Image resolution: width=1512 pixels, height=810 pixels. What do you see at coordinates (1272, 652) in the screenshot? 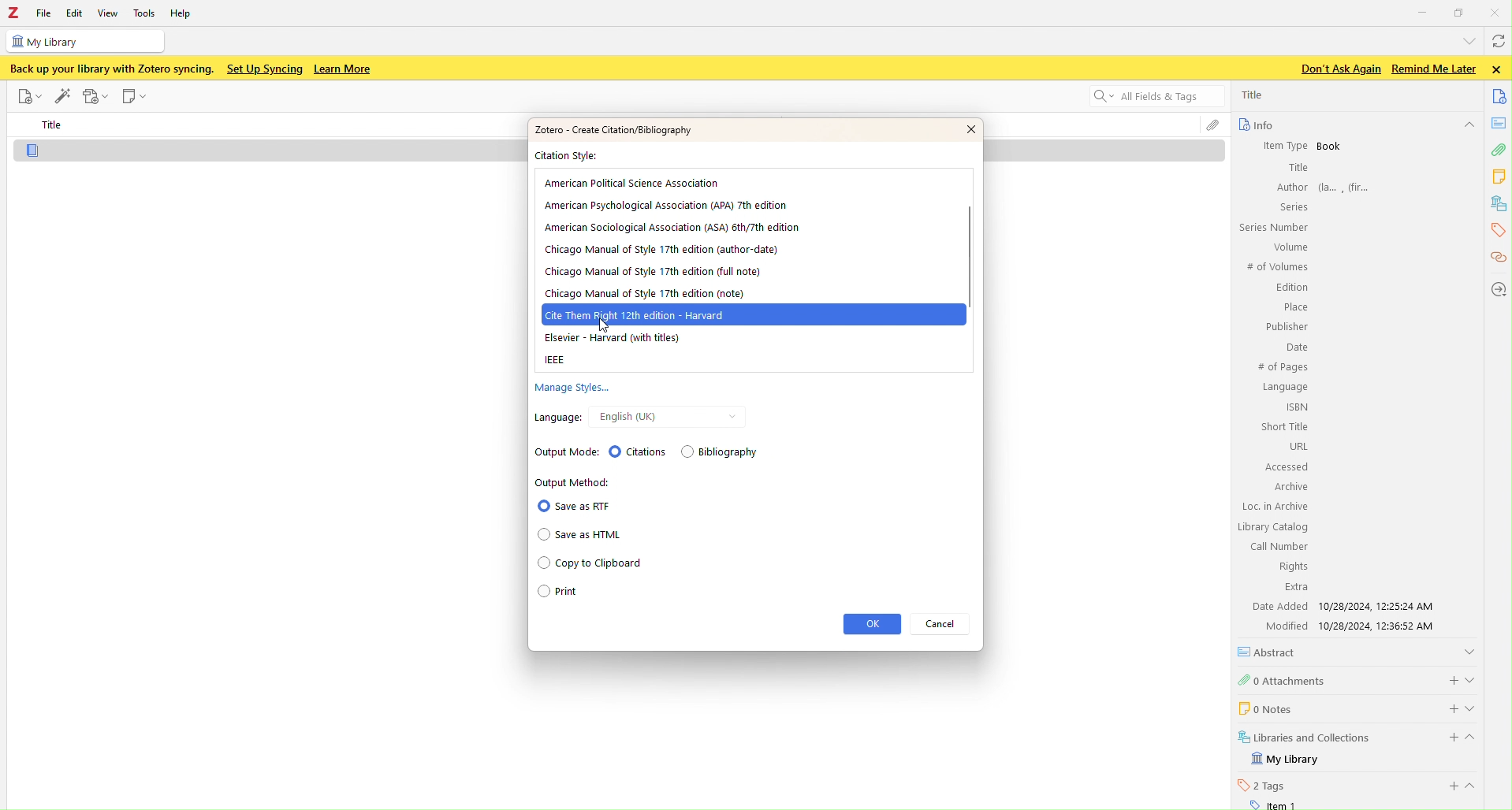
I see `Abstract` at bounding box center [1272, 652].